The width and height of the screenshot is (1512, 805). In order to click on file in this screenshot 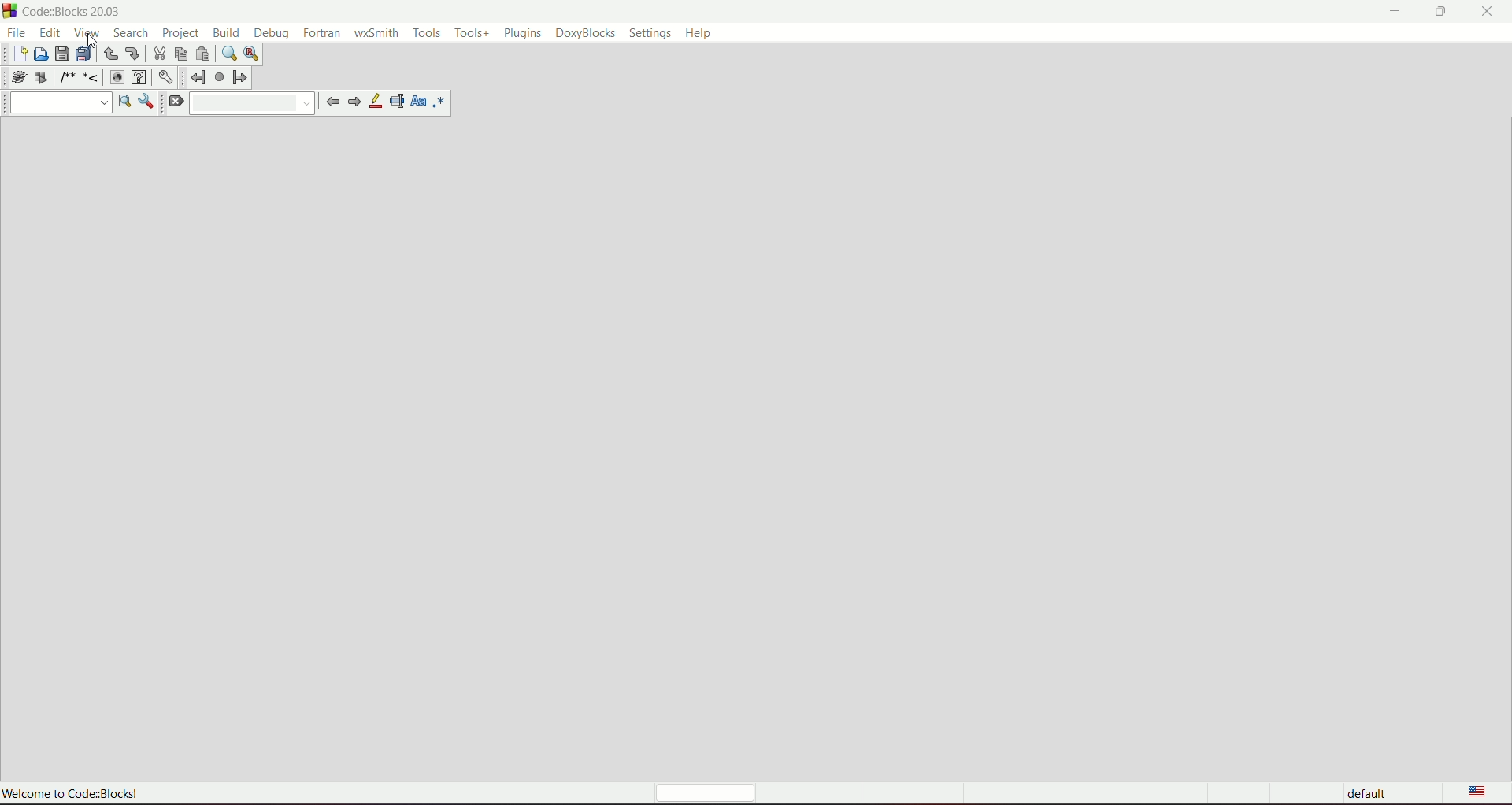, I will do `click(17, 32)`.